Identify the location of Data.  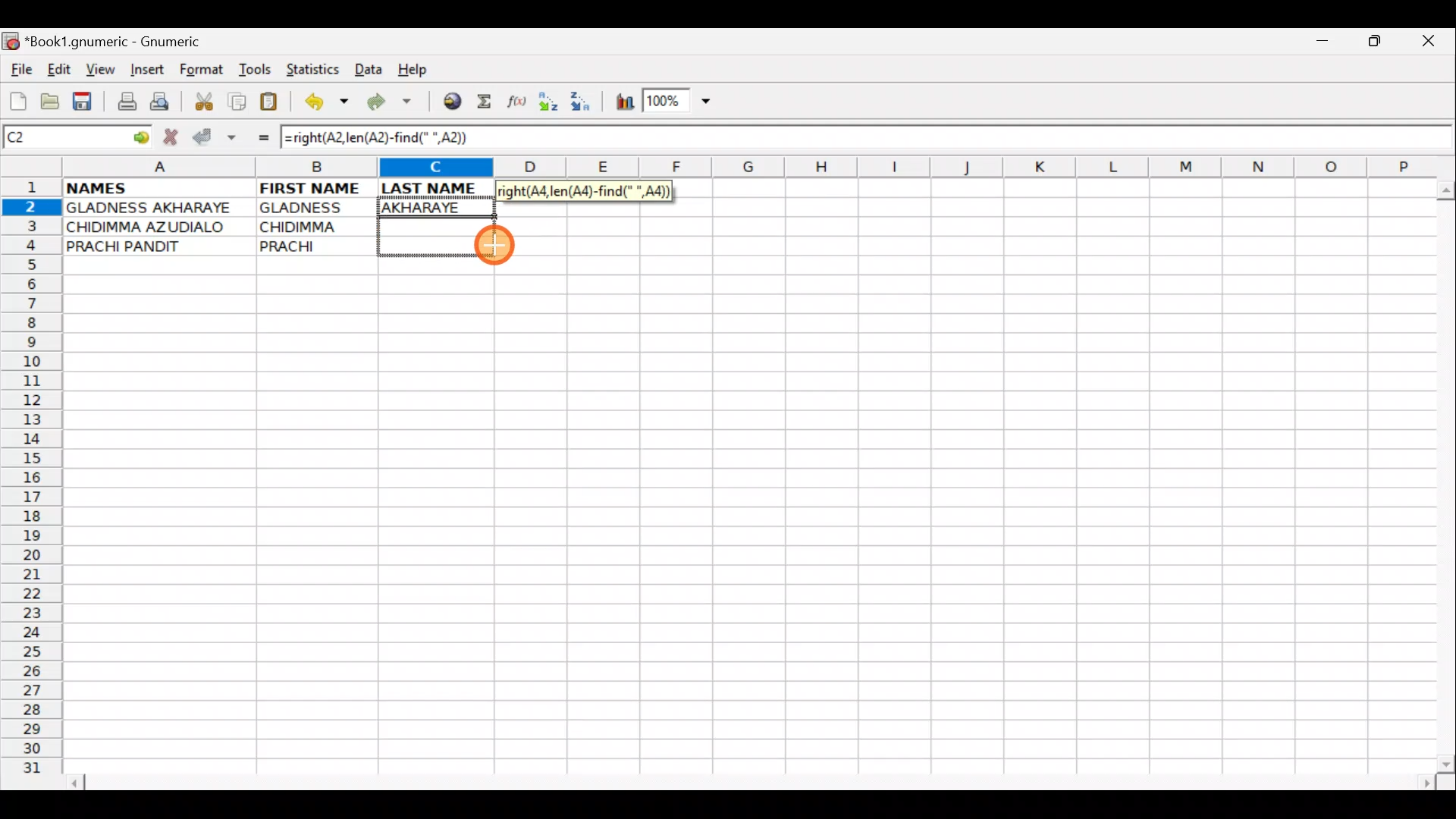
(368, 68).